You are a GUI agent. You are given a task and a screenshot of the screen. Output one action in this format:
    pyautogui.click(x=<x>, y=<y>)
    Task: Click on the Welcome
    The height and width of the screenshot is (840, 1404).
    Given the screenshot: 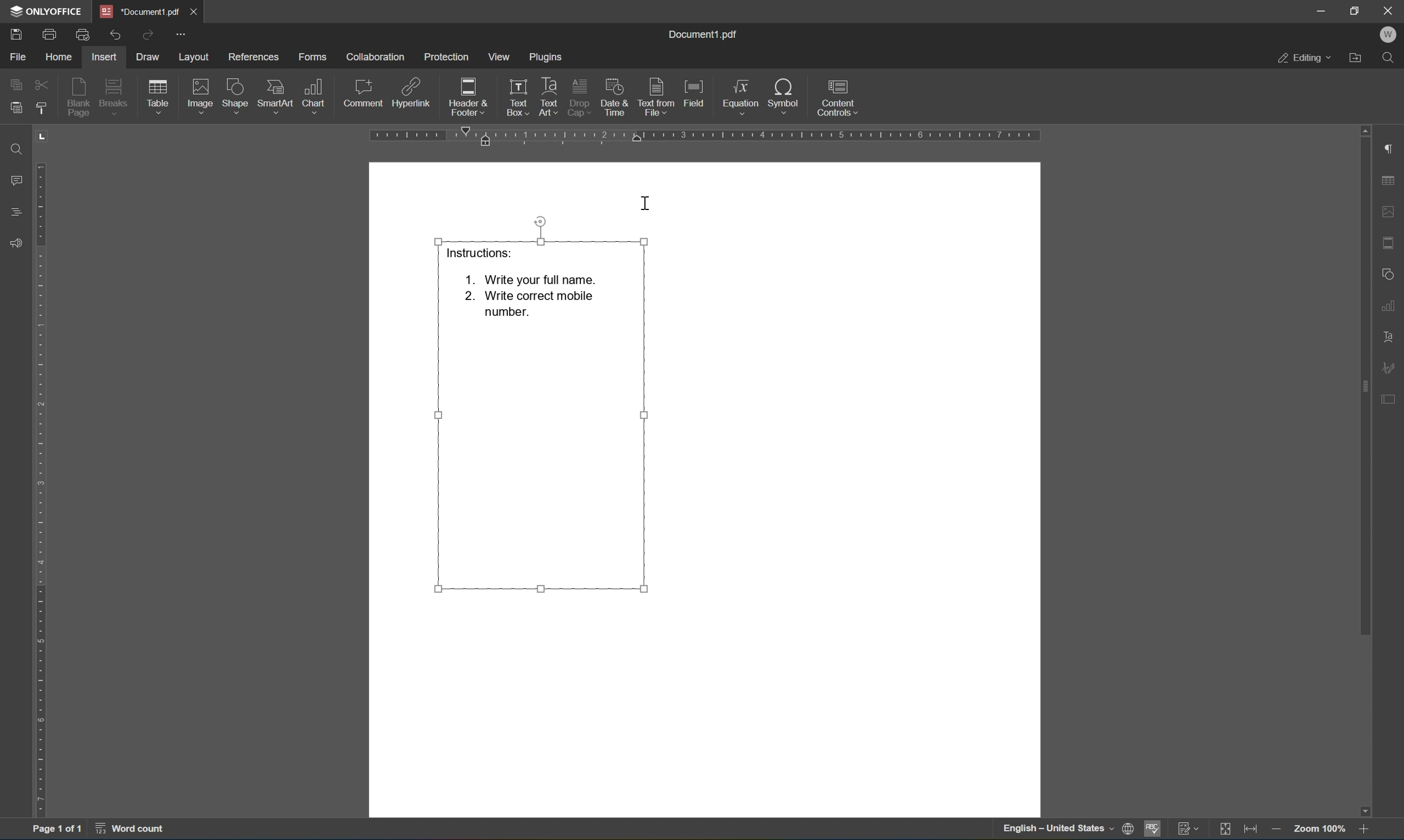 What is the action you would take?
    pyautogui.click(x=1390, y=36)
    